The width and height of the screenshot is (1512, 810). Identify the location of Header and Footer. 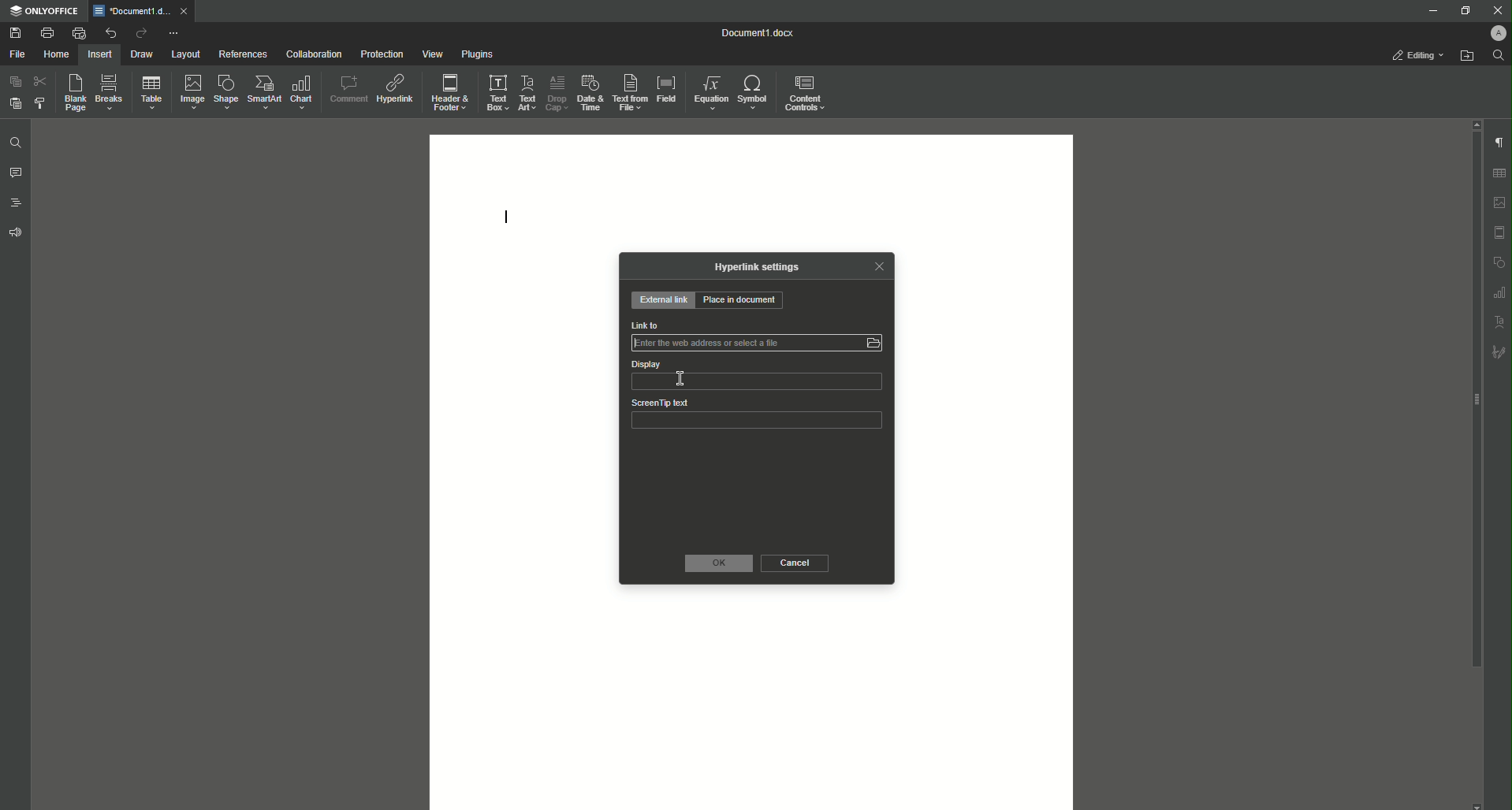
(450, 92).